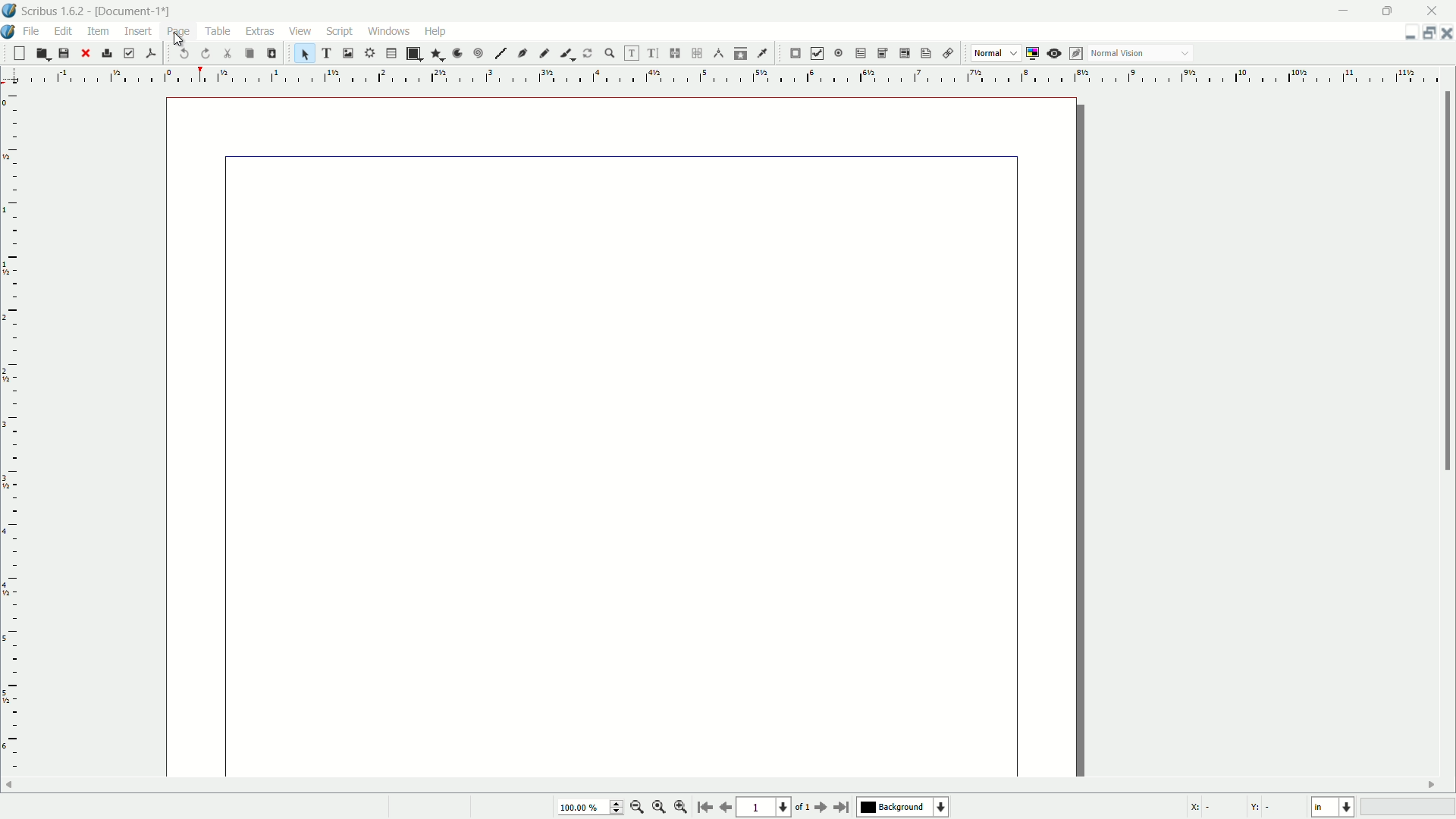 The height and width of the screenshot is (819, 1456). I want to click on previous page, so click(725, 808).